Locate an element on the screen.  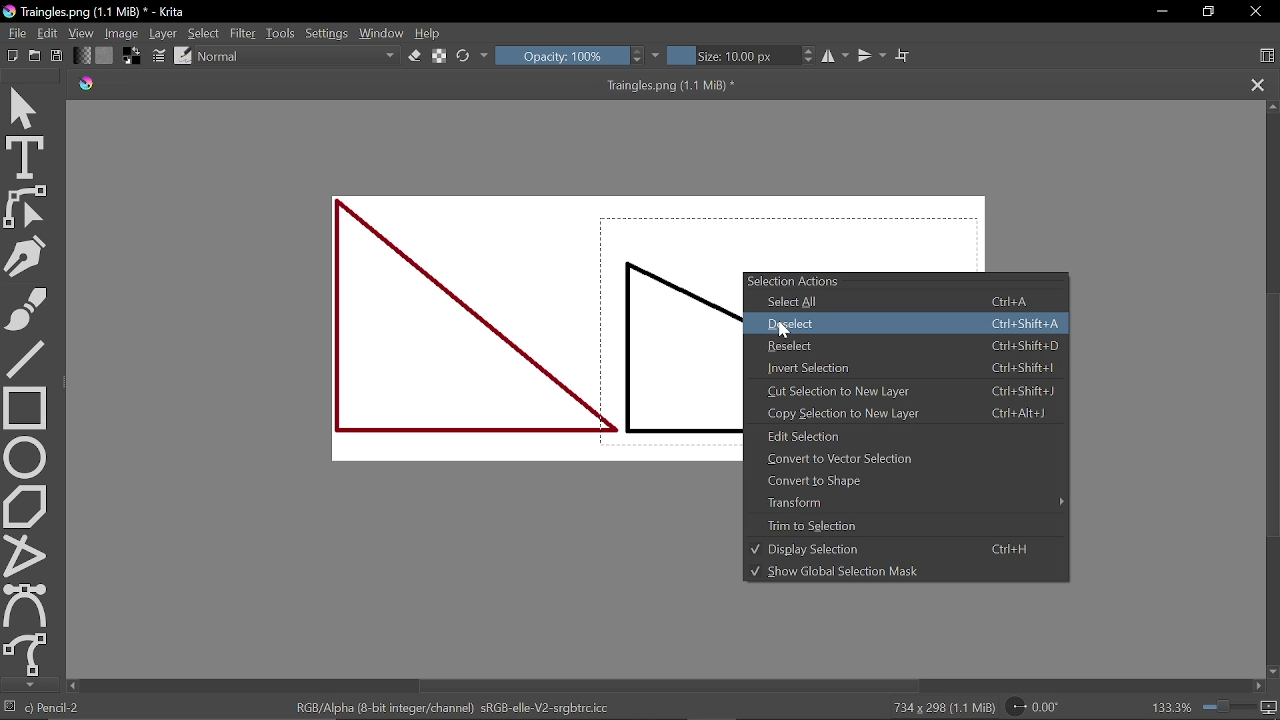
Polygon tool is located at coordinates (28, 505).